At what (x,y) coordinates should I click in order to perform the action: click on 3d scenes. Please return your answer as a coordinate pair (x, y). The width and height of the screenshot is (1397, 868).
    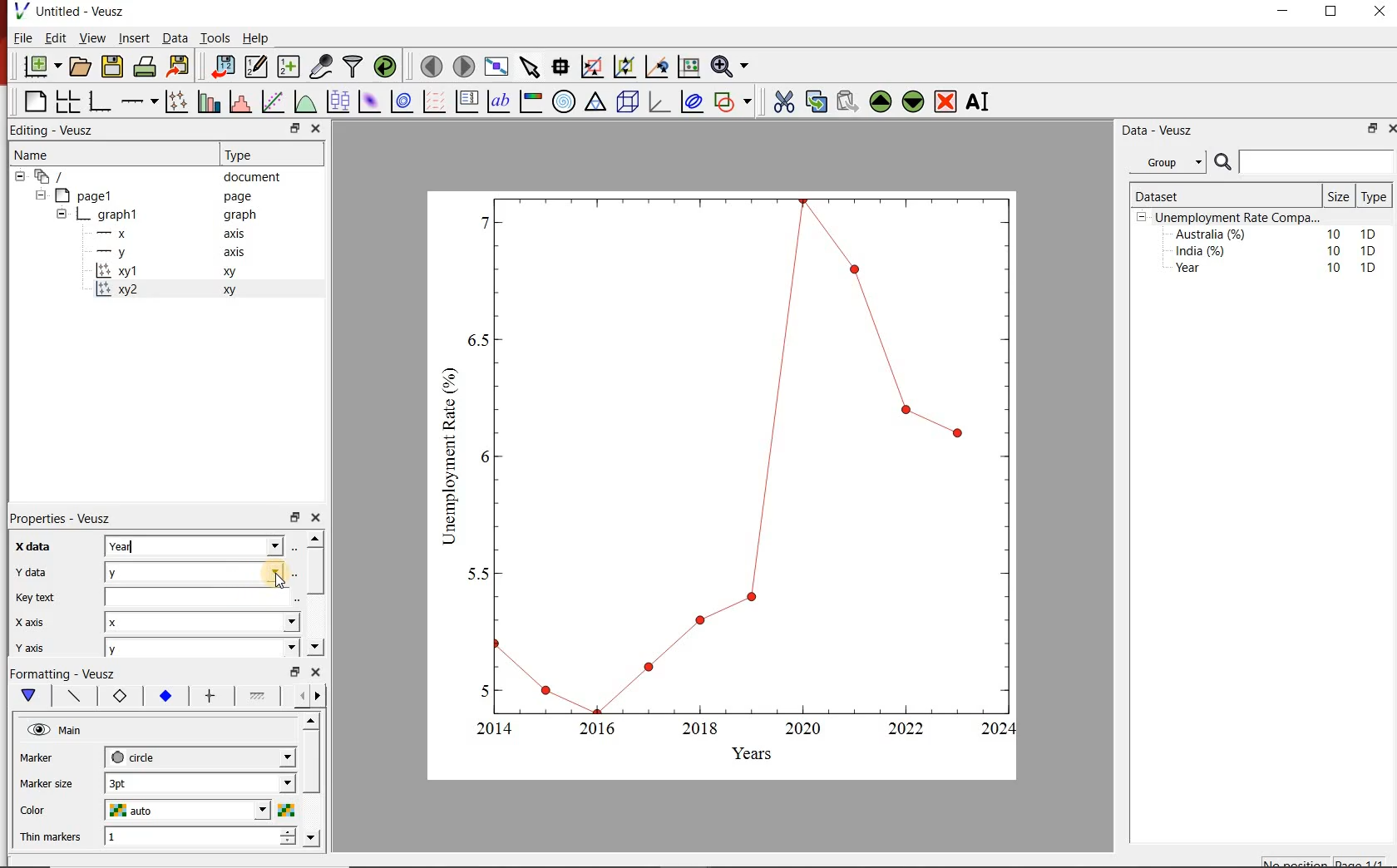
    Looking at the image, I should click on (625, 101).